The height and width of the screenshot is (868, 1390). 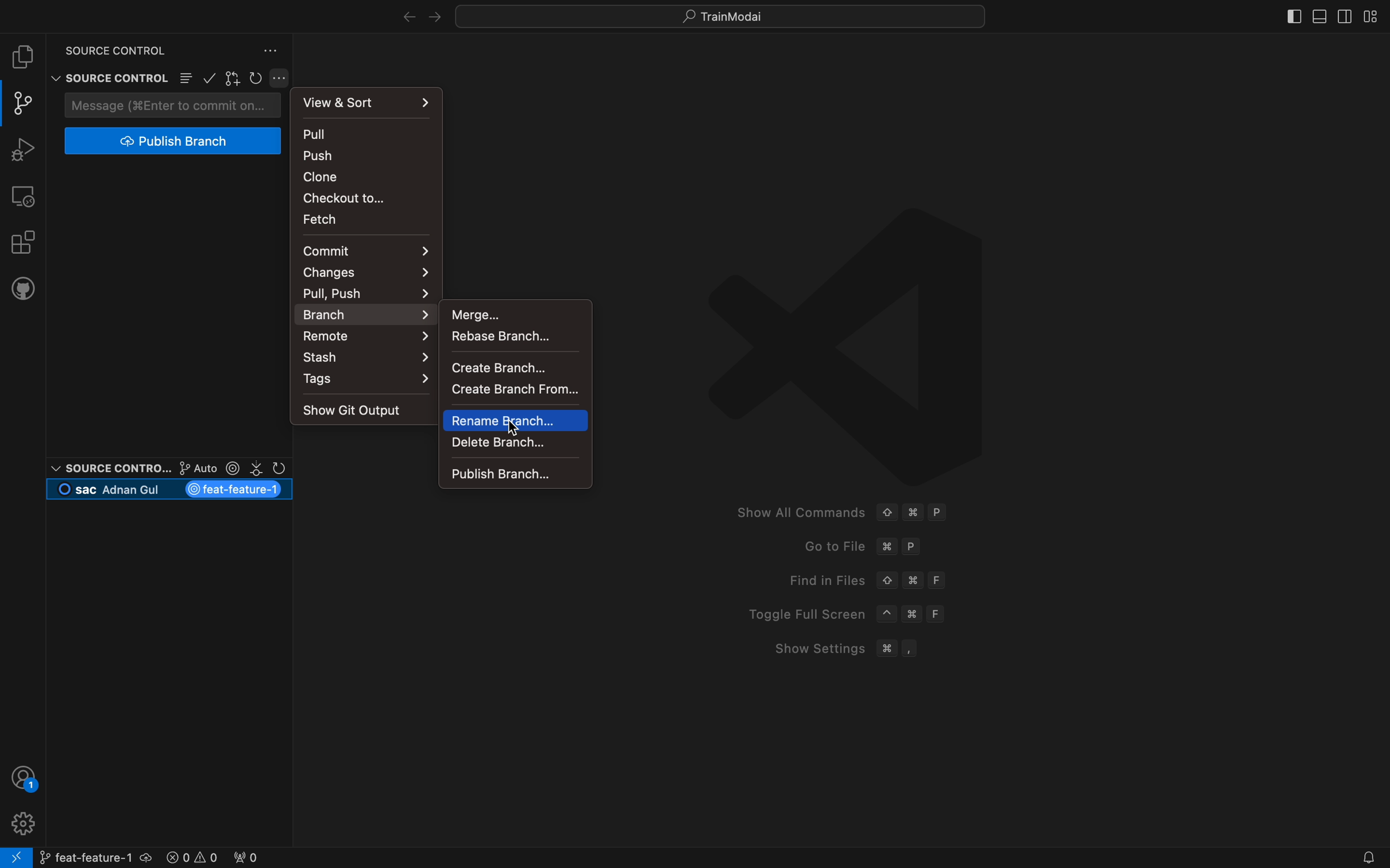 I want to click on , so click(x=518, y=421).